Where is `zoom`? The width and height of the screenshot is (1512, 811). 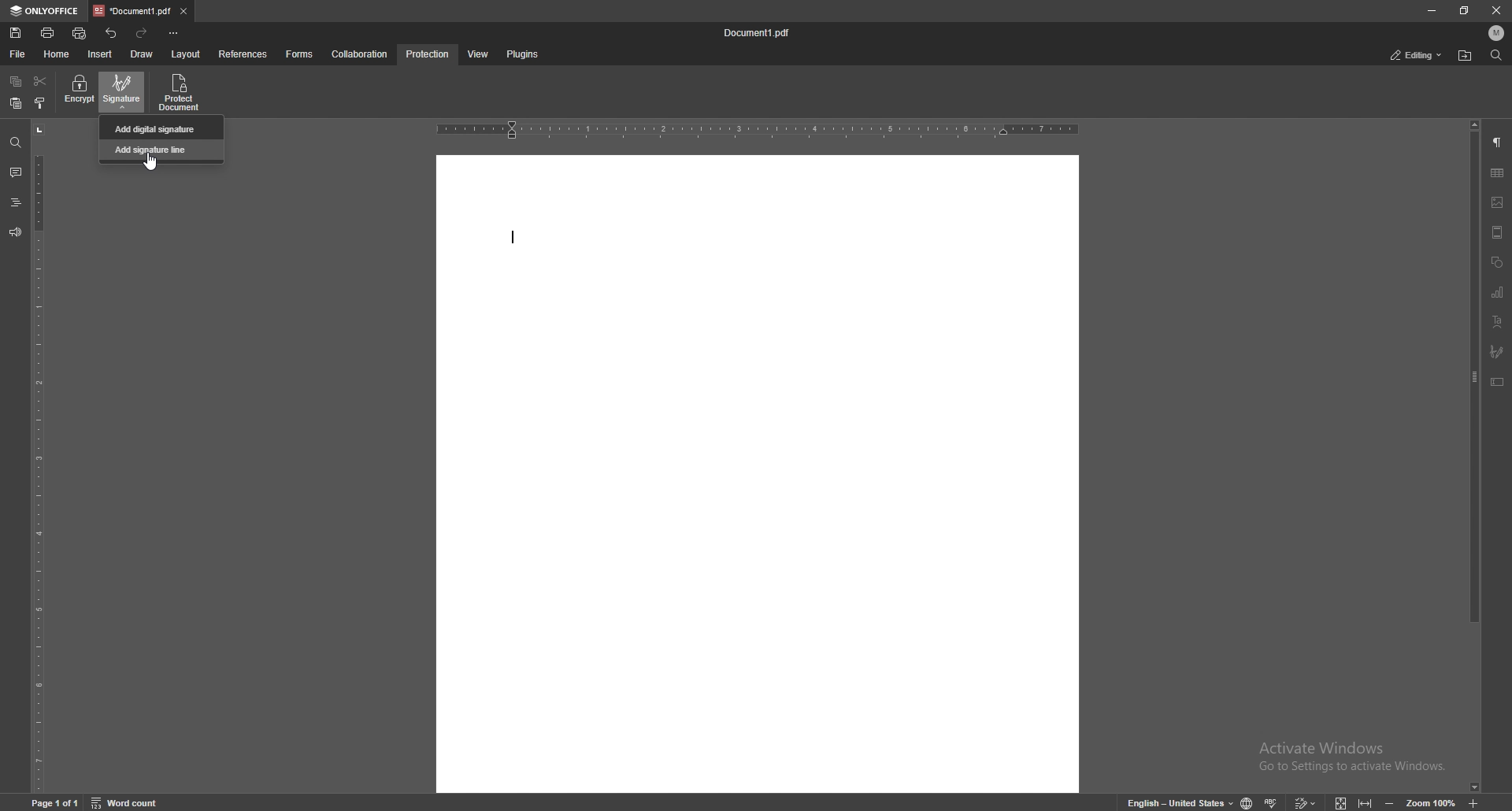 zoom is located at coordinates (1420, 802).